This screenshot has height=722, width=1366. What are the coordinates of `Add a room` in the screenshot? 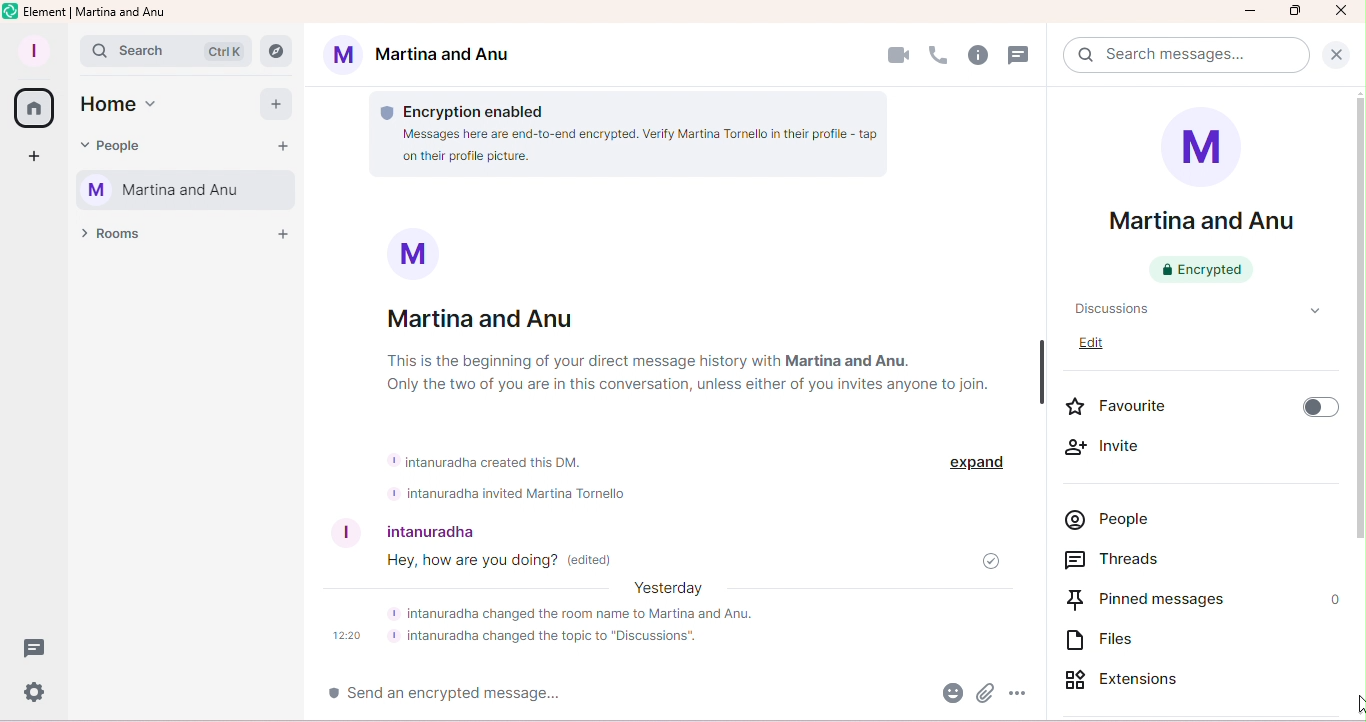 It's located at (283, 233).